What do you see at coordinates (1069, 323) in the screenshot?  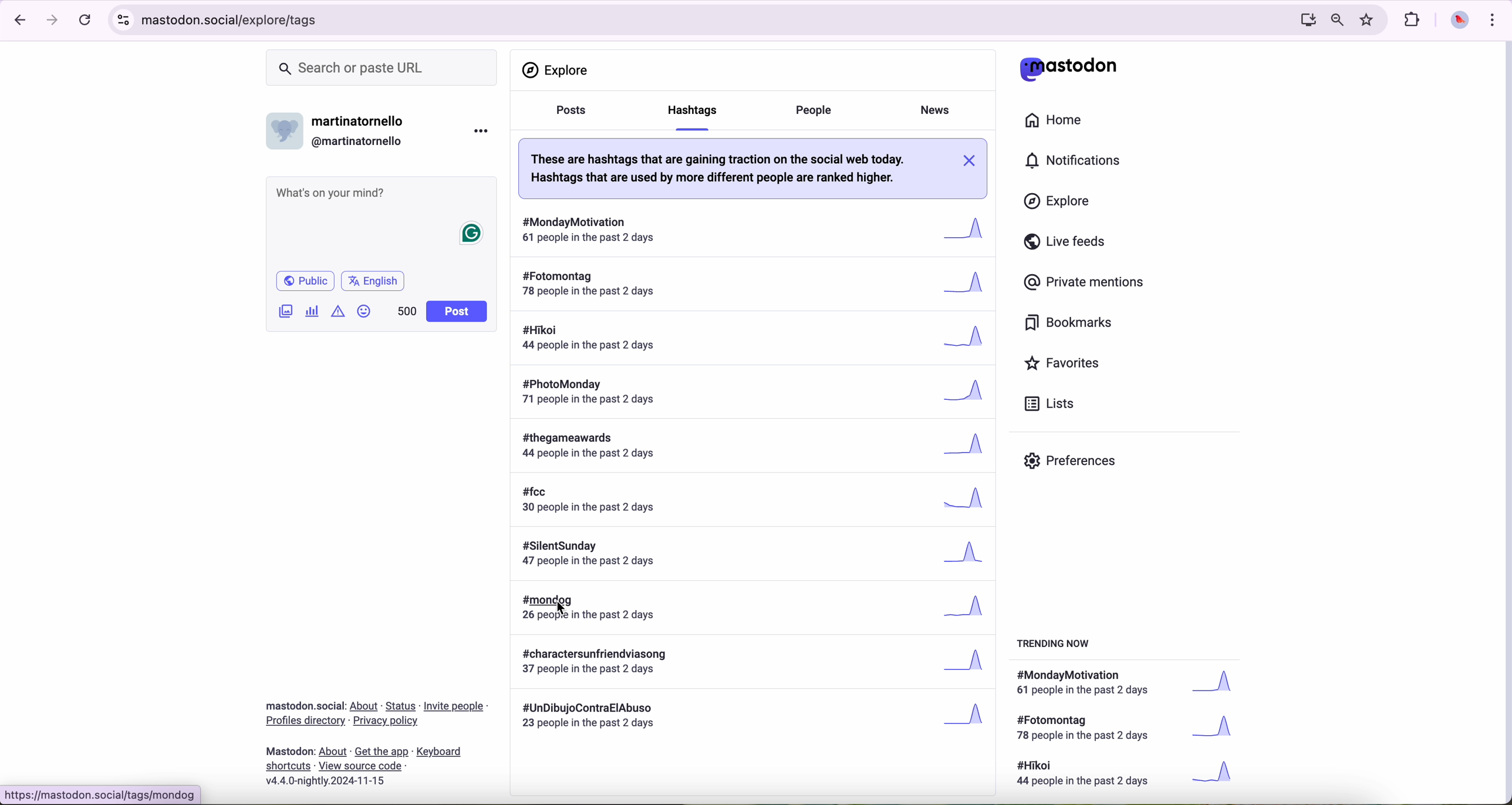 I see `bookmarks` at bounding box center [1069, 323].